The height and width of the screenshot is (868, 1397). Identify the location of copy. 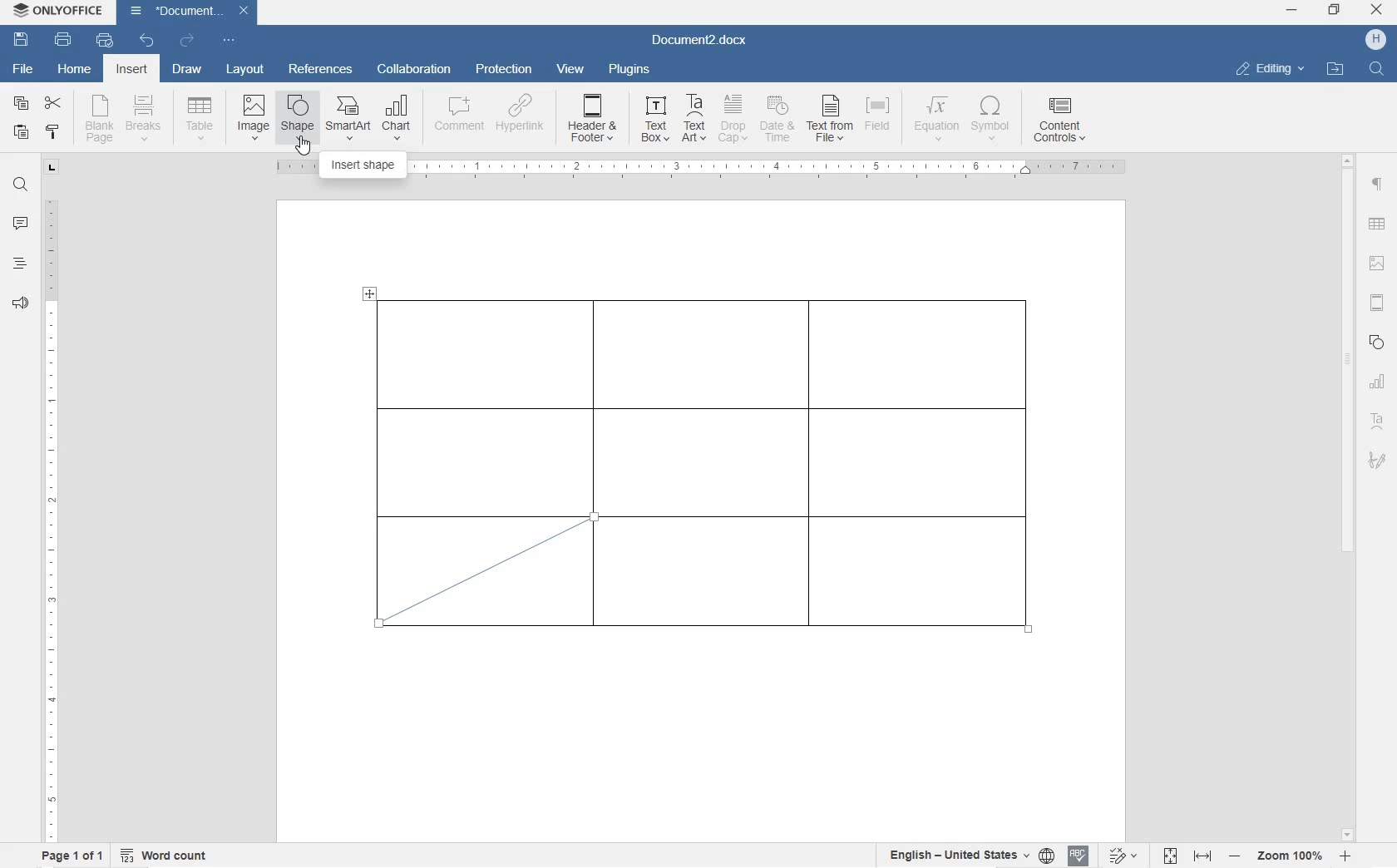
(22, 106).